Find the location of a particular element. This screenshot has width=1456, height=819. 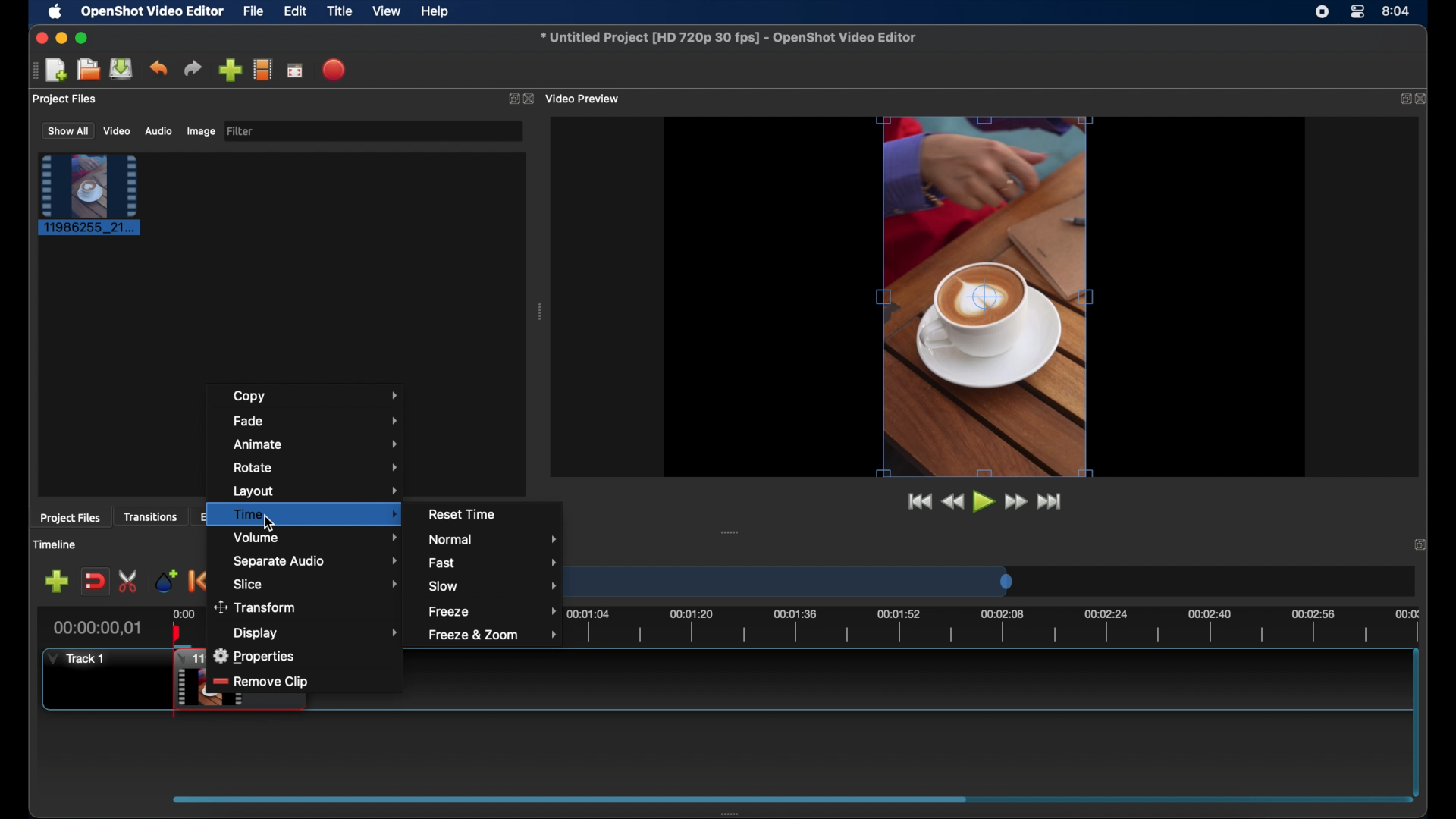

save project is located at coordinates (122, 69).